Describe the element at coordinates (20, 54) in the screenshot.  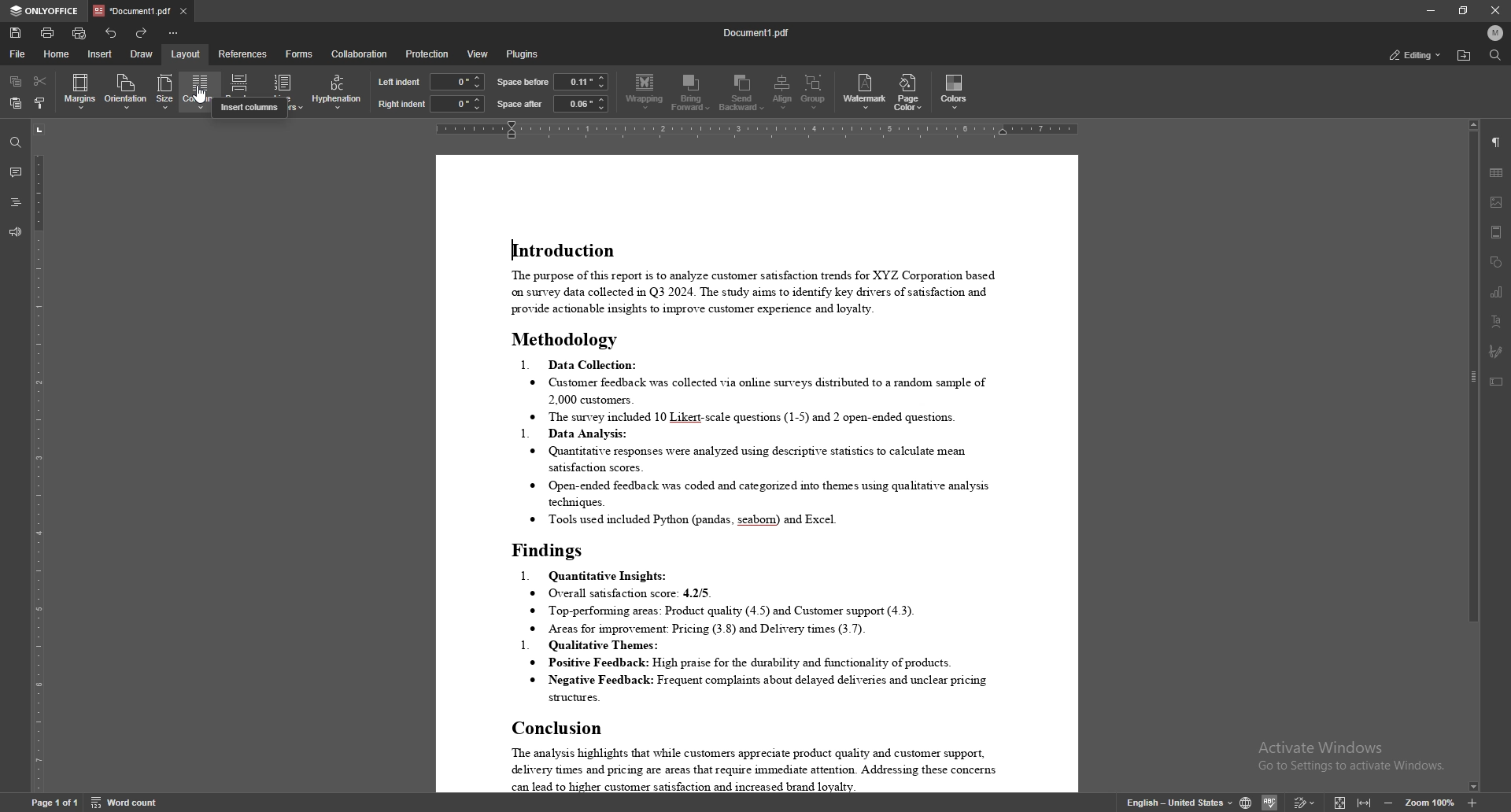
I see `file` at that location.